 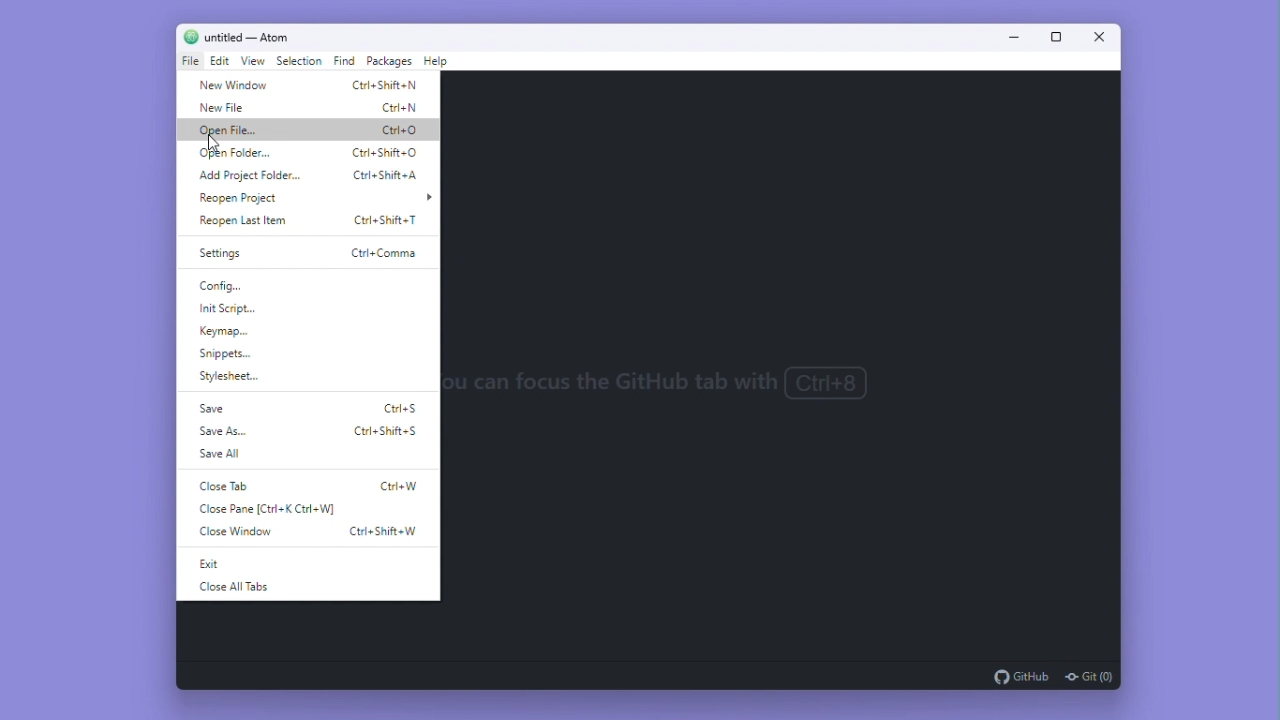 What do you see at coordinates (253, 587) in the screenshot?
I see `Close all tabs` at bounding box center [253, 587].